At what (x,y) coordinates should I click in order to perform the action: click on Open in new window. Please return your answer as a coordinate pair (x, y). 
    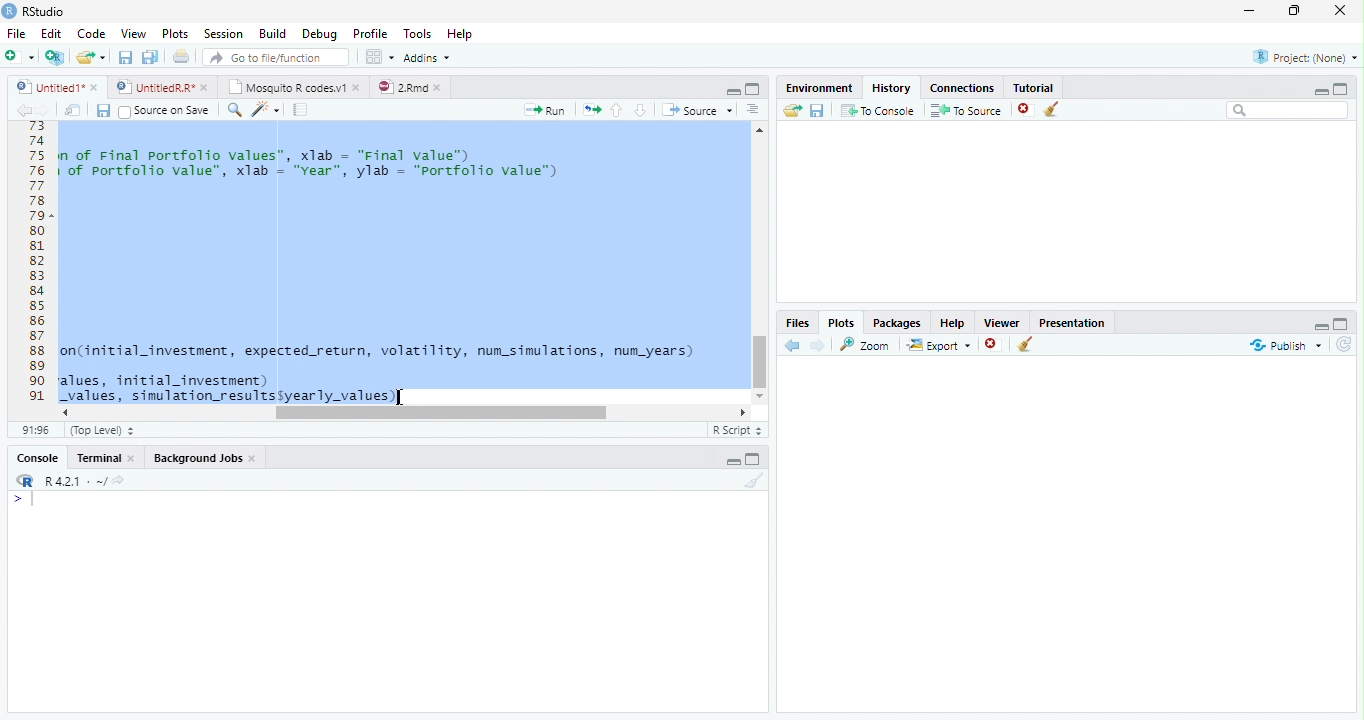
    Looking at the image, I should click on (73, 110).